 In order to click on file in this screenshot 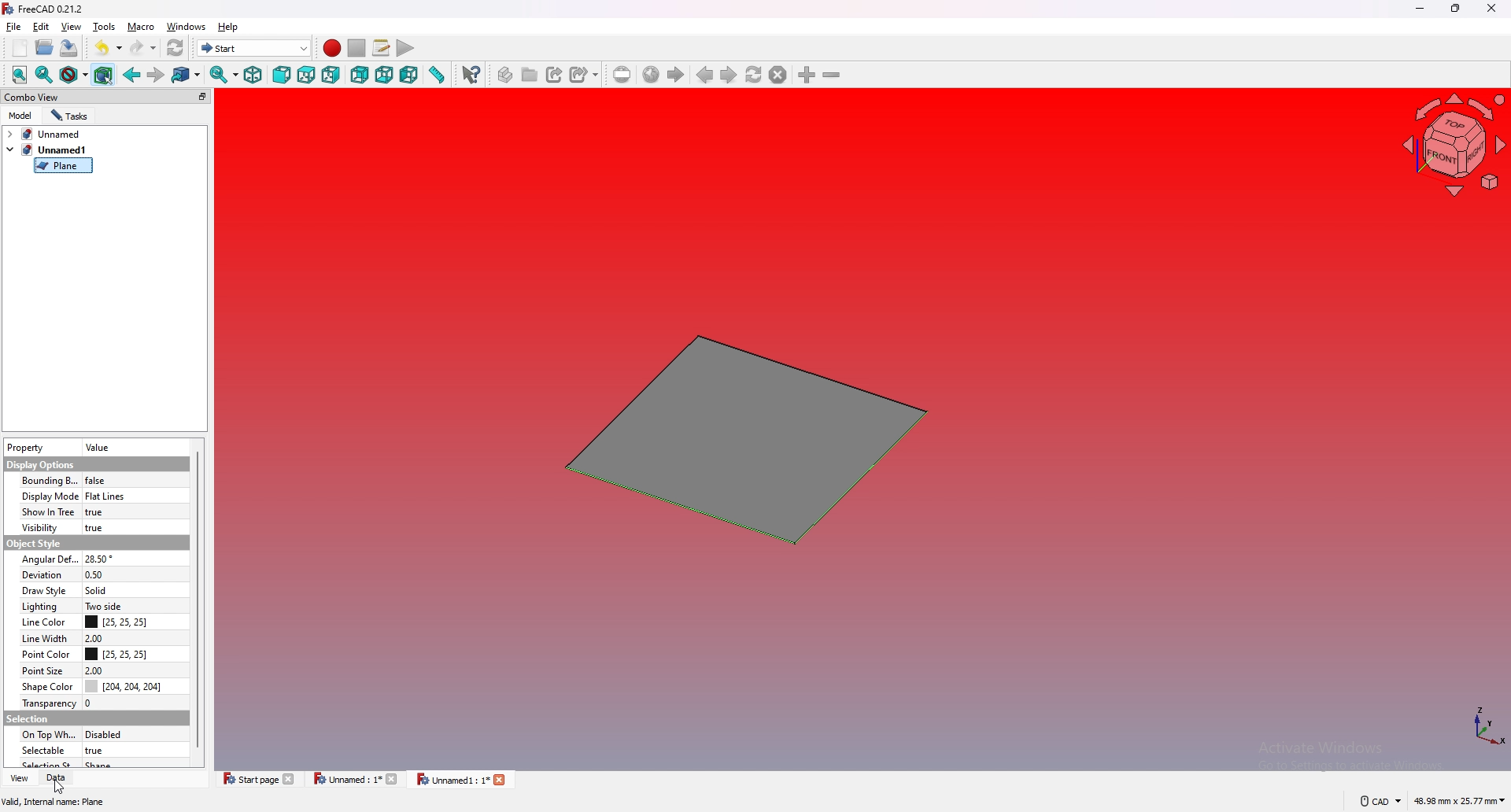, I will do `click(14, 27)`.